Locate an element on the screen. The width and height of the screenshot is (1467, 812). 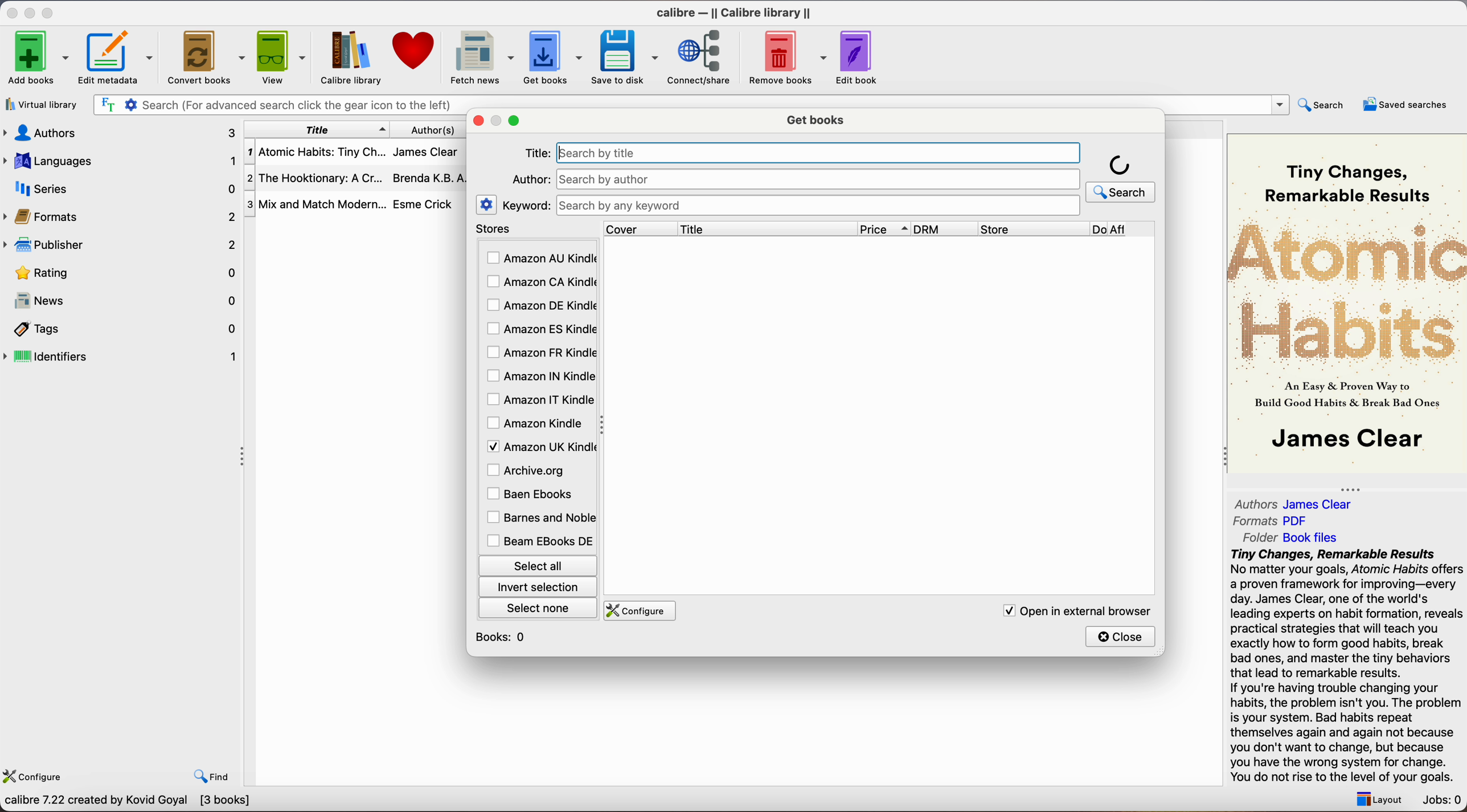
folder Book files is located at coordinates (1292, 537).